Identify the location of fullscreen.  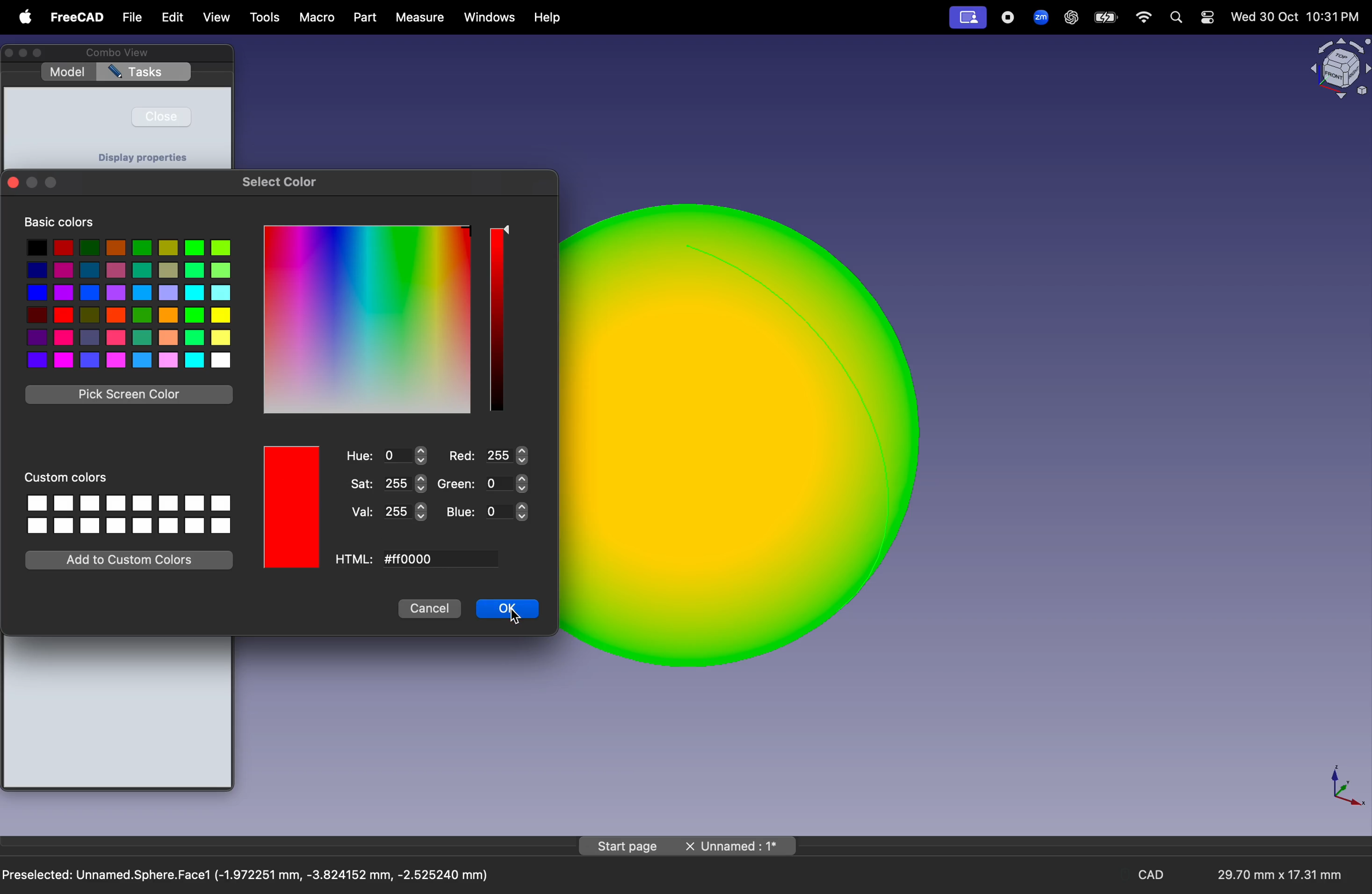
(51, 184).